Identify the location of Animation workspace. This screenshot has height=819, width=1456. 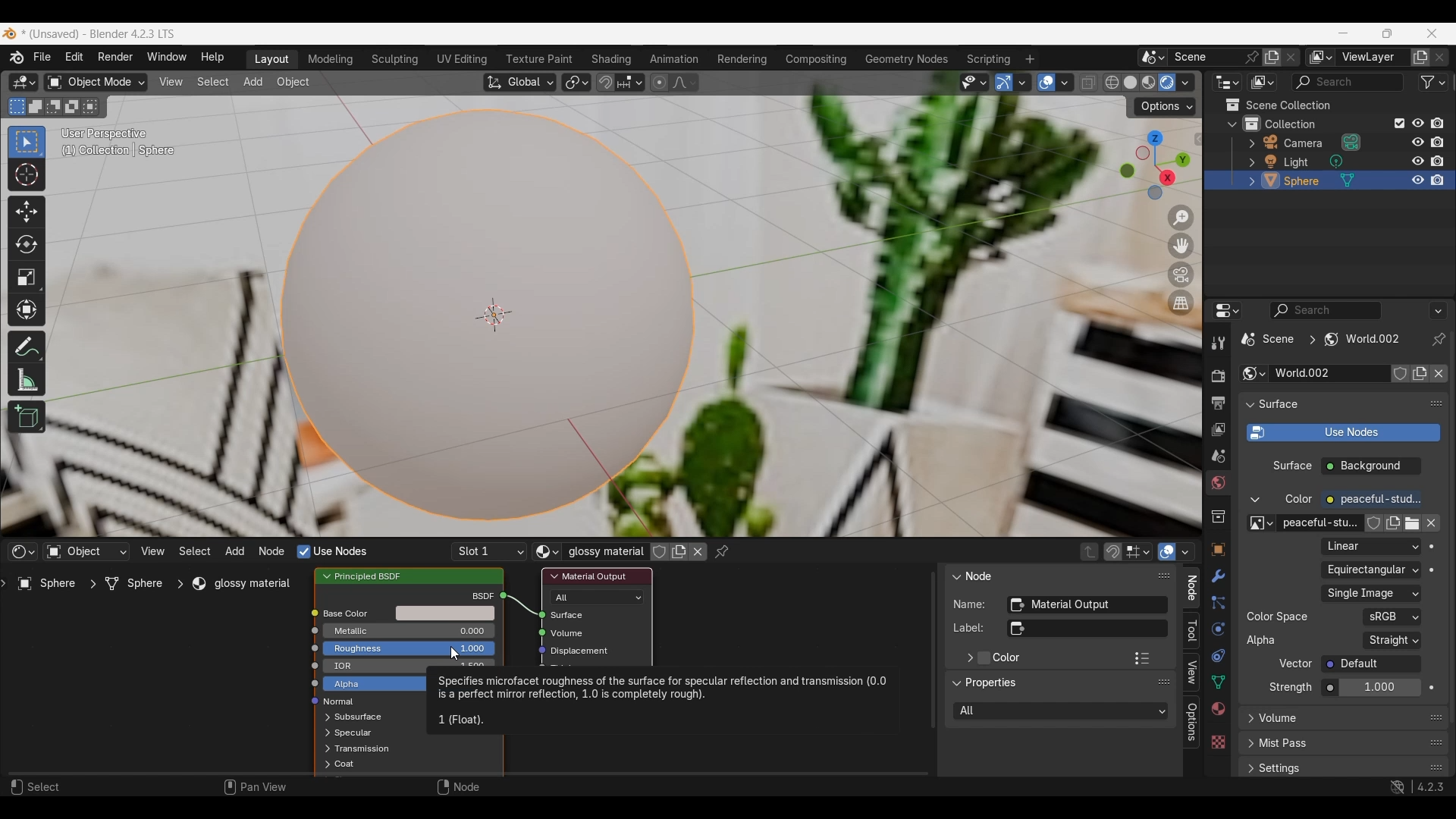
(676, 58).